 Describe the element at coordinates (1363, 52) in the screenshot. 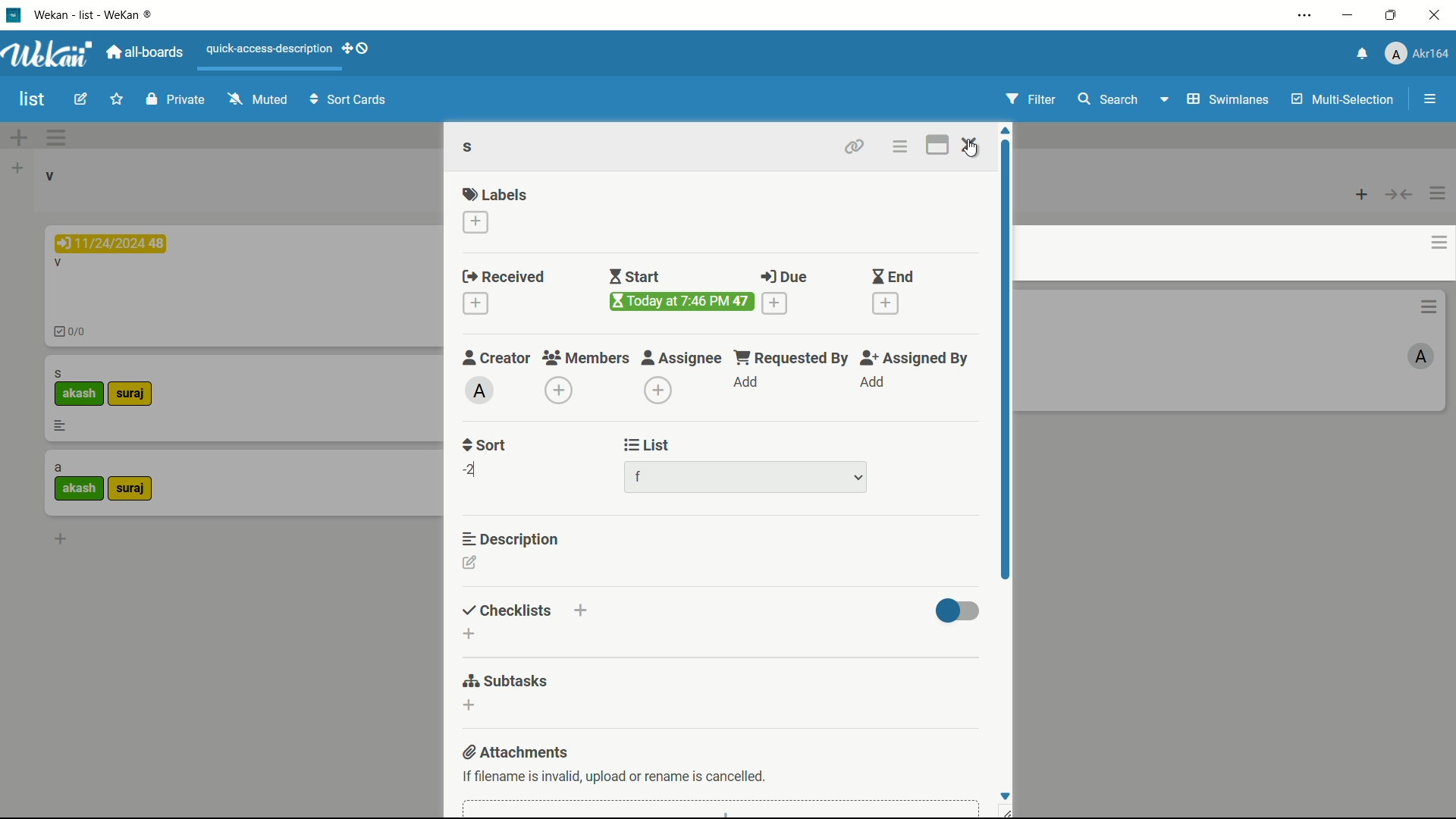

I see `notifications` at that location.